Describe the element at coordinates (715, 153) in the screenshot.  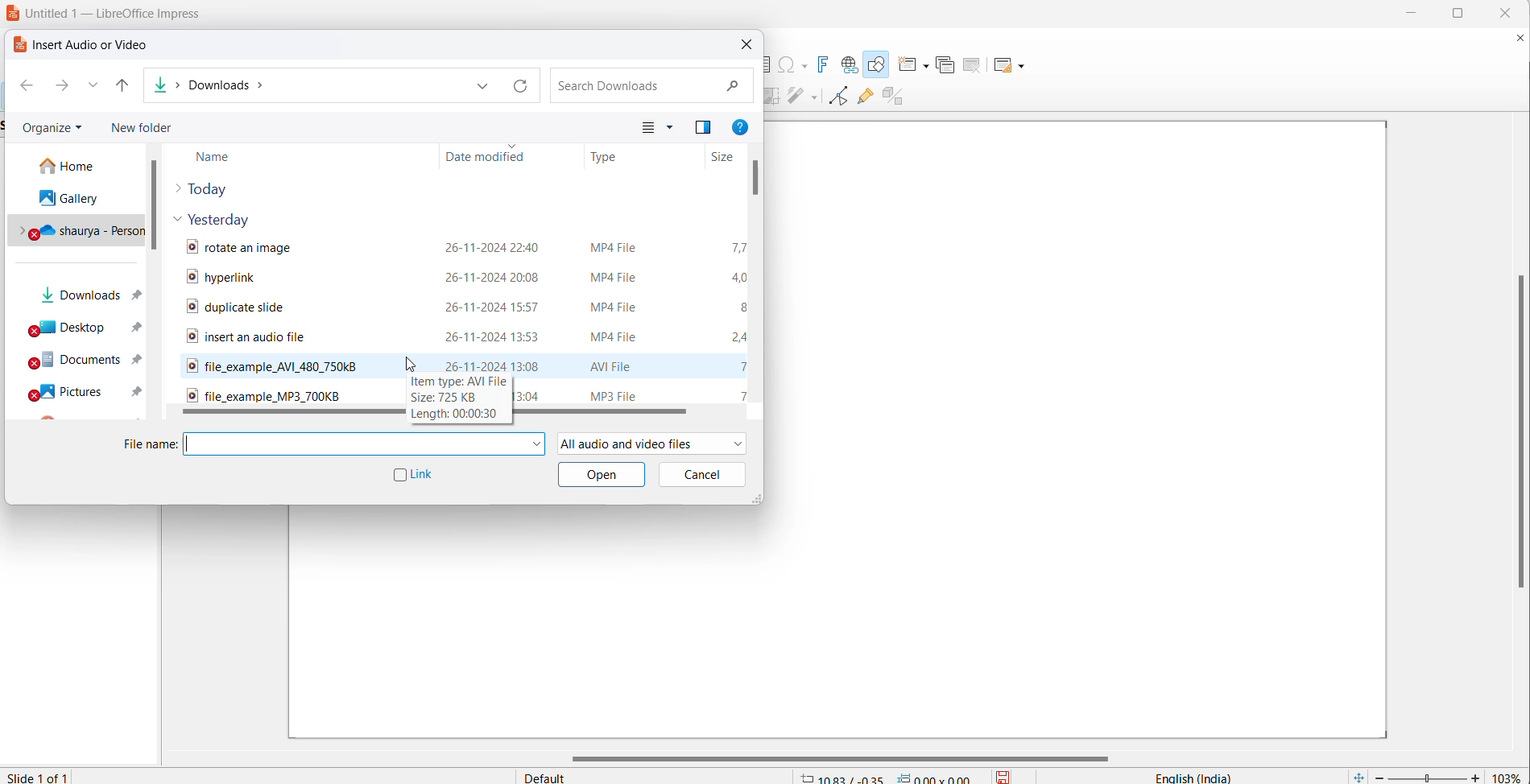
I see `file size heading` at that location.